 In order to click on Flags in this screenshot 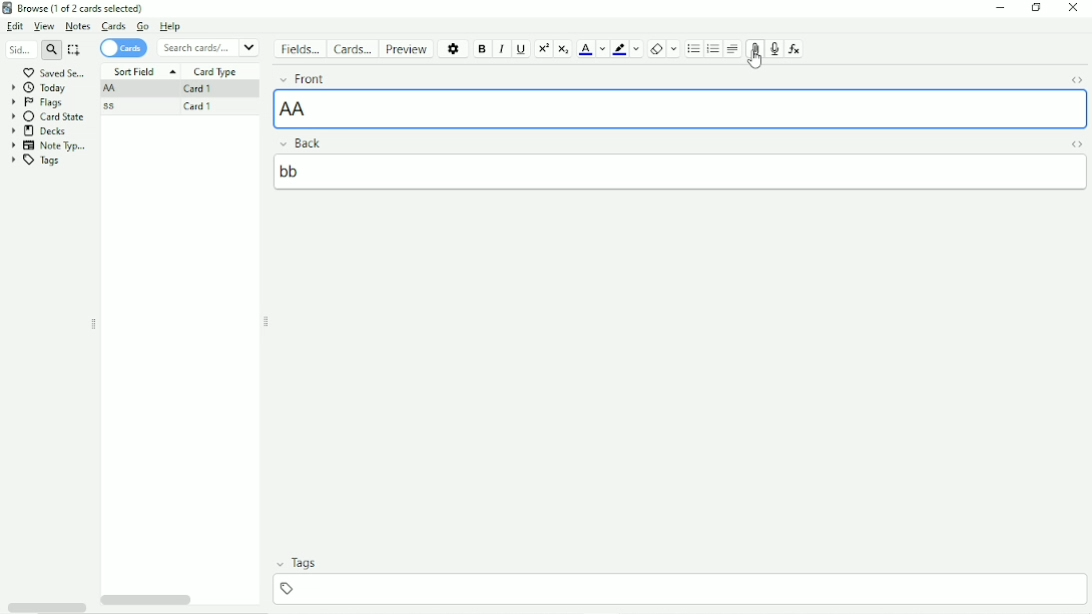, I will do `click(39, 102)`.